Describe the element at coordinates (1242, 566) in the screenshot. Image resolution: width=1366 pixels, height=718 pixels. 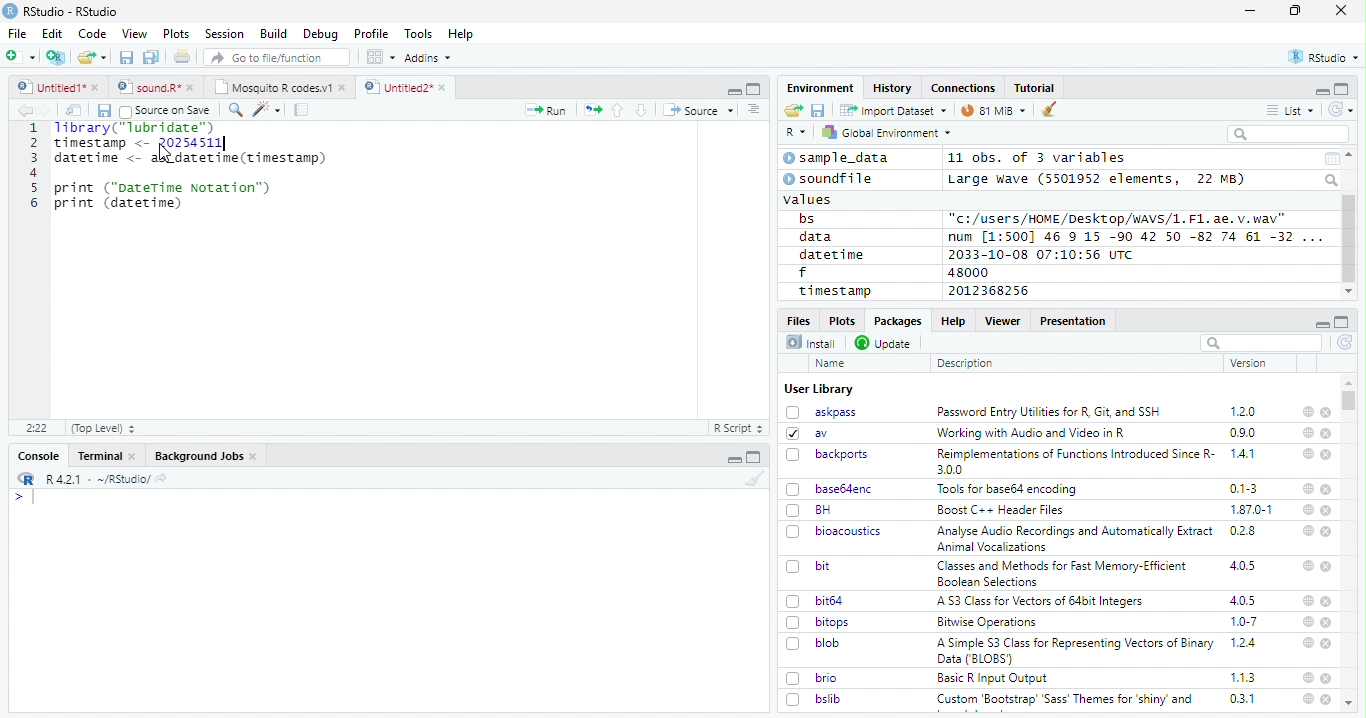
I see `4.0.5` at that location.